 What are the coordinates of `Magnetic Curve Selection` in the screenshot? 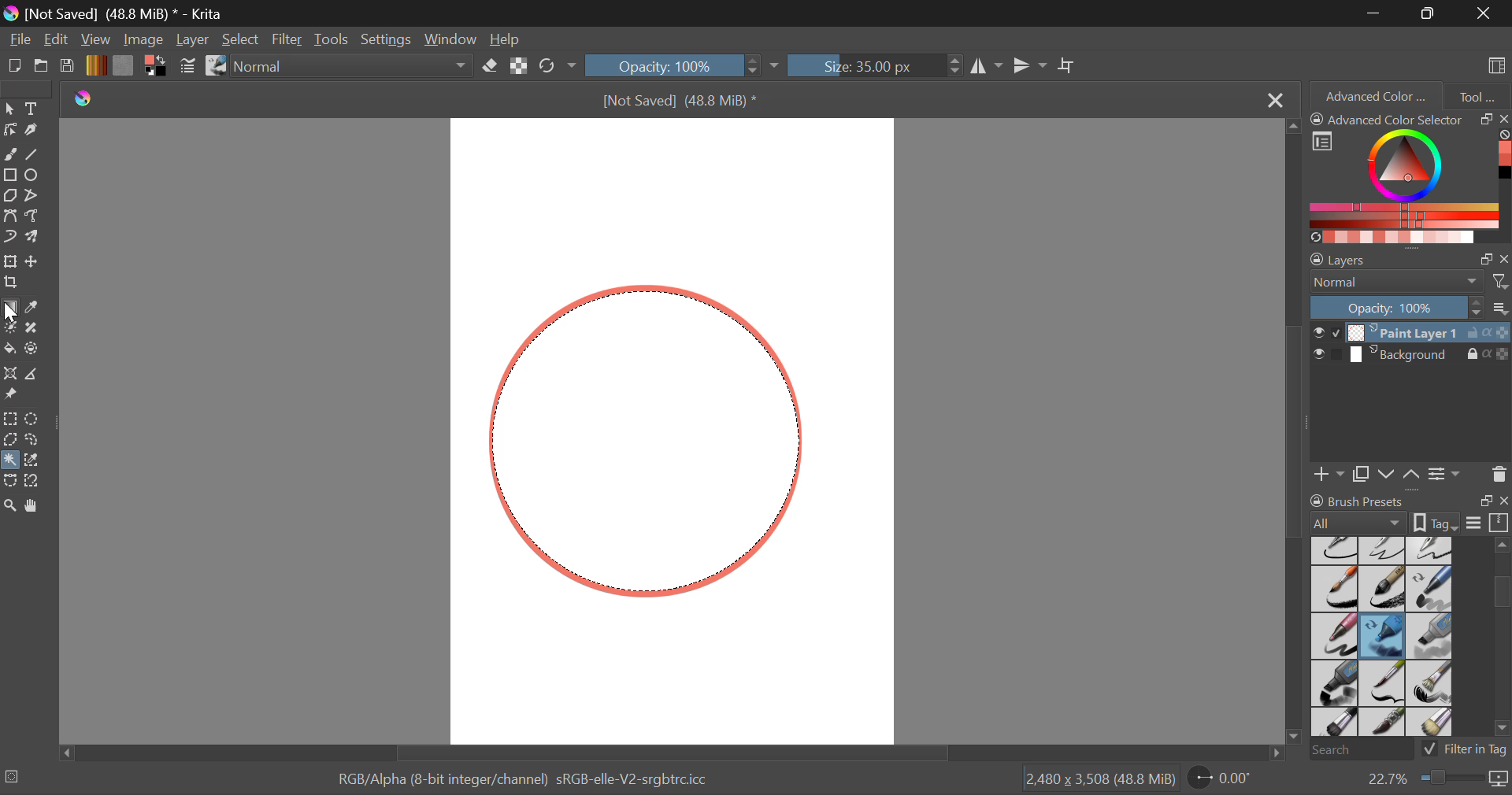 It's located at (38, 481).